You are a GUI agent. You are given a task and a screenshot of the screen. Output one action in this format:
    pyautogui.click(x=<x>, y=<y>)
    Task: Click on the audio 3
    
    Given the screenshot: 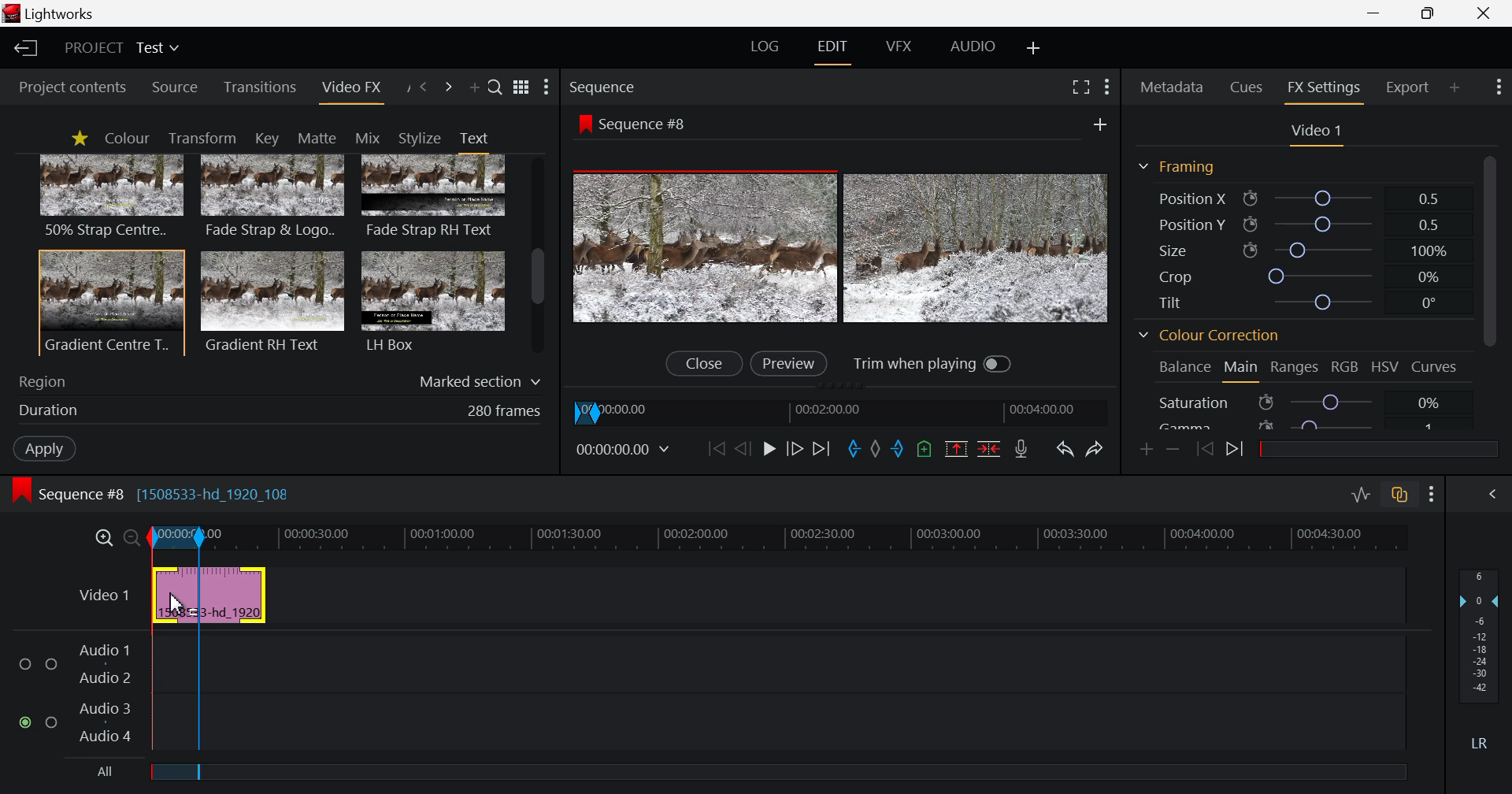 What is the action you would take?
    pyautogui.click(x=100, y=707)
    